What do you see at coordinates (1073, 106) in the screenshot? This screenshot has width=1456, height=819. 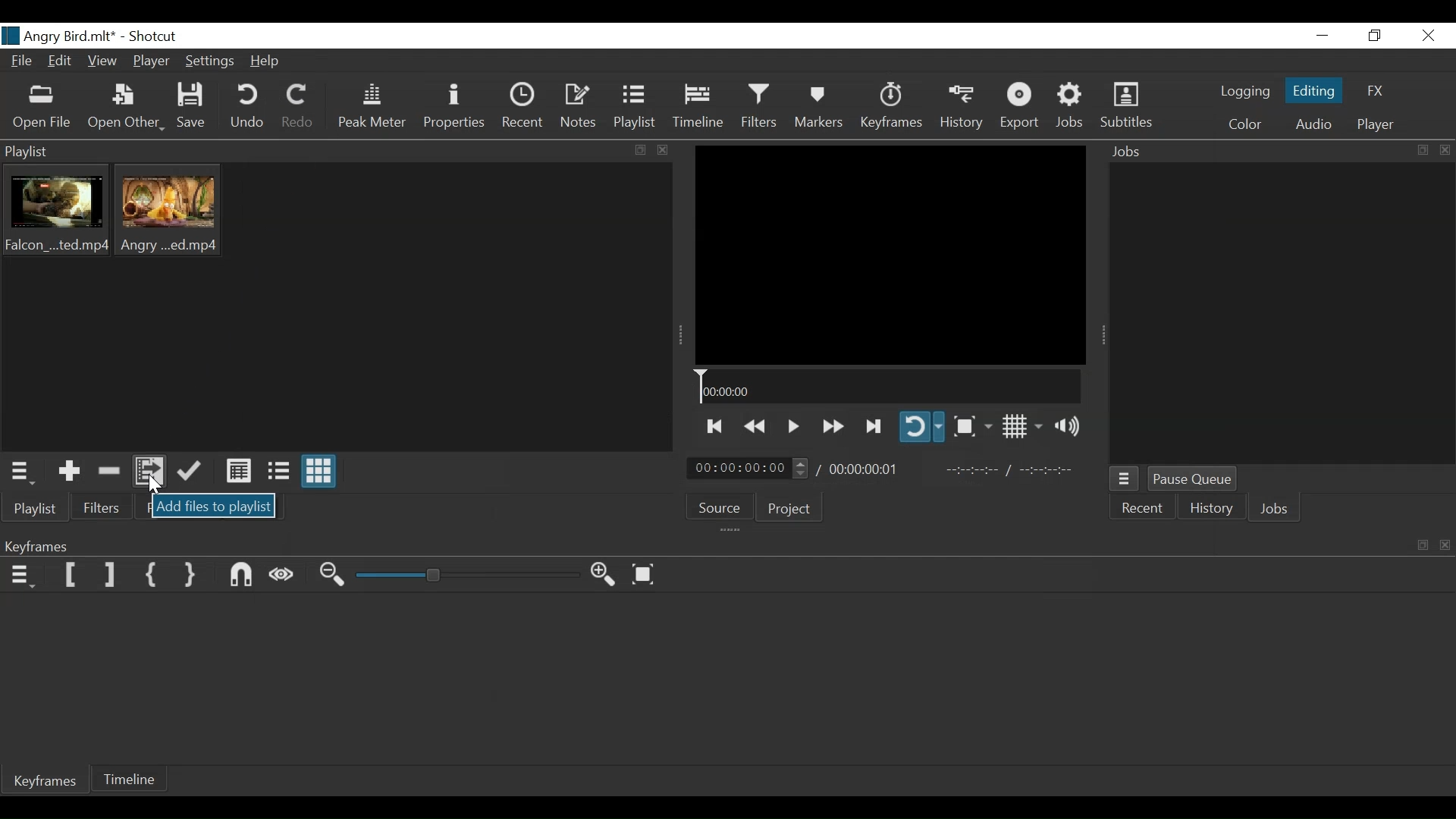 I see `Jobs ` at bounding box center [1073, 106].